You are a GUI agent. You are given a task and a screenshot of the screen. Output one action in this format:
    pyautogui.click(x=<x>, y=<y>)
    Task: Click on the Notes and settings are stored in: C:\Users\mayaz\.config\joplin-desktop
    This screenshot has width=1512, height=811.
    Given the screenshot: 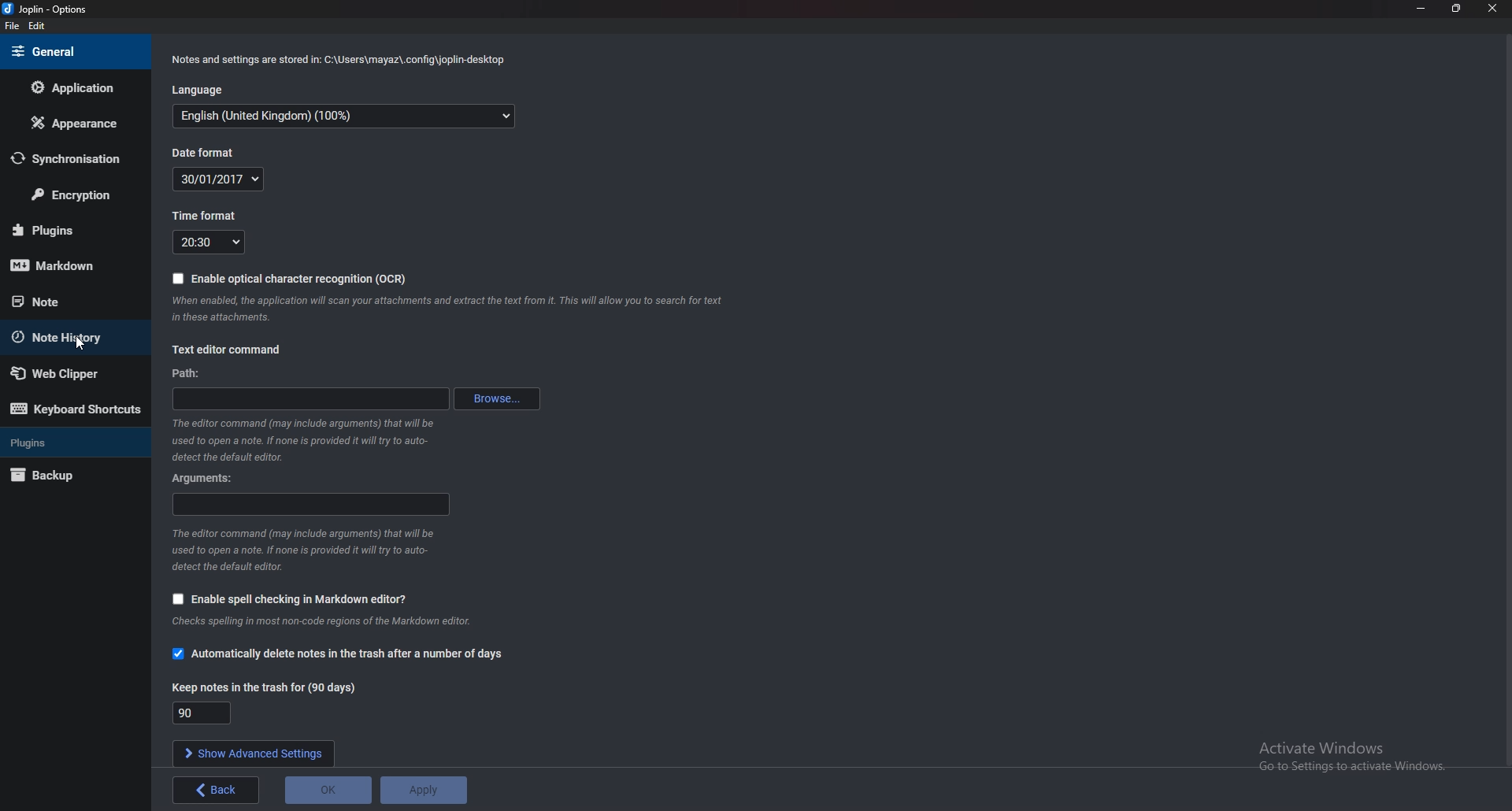 What is the action you would take?
    pyautogui.click(x=338, y=59)
    